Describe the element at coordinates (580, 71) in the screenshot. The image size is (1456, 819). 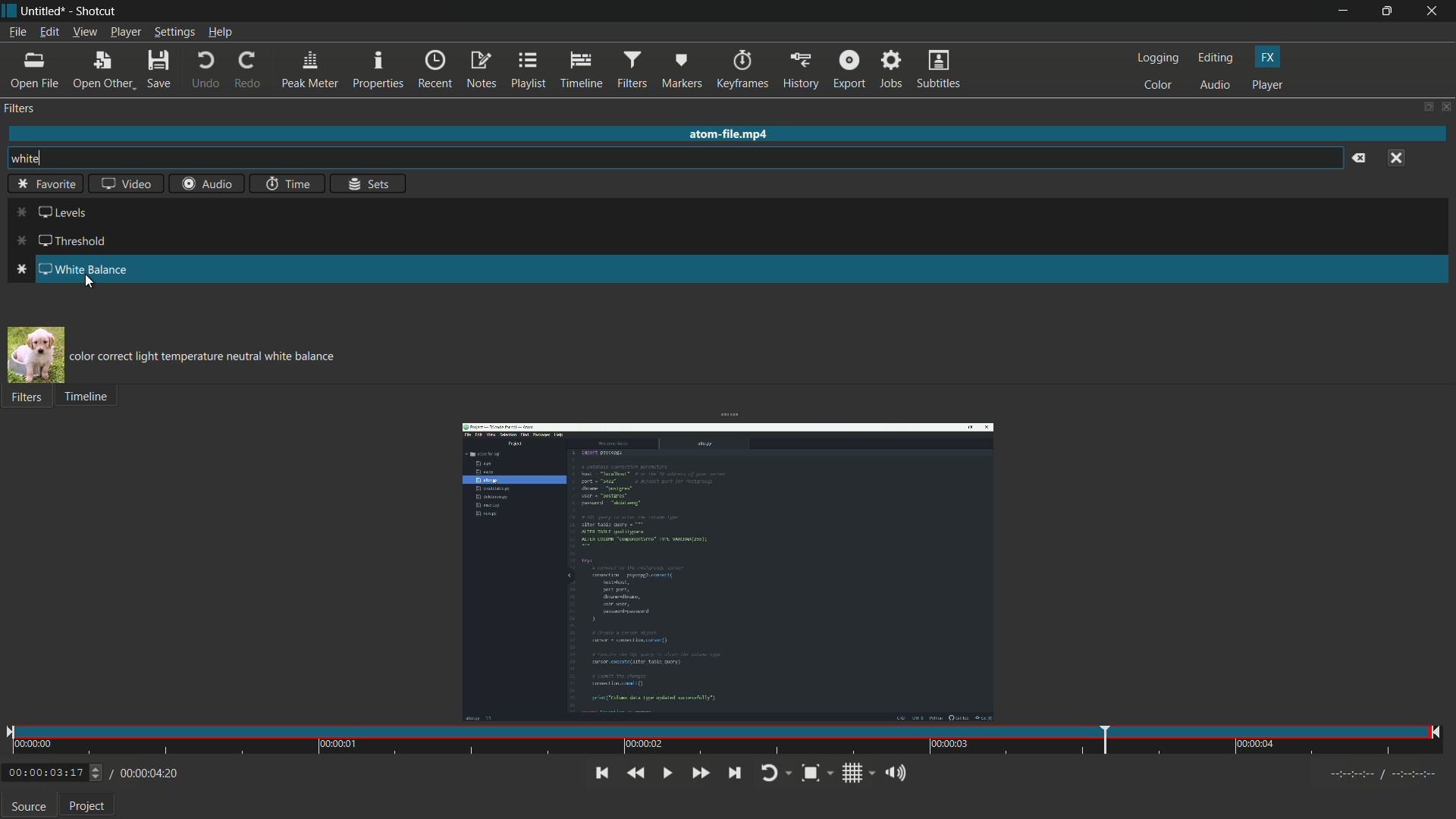
I see `timeline` at that location.